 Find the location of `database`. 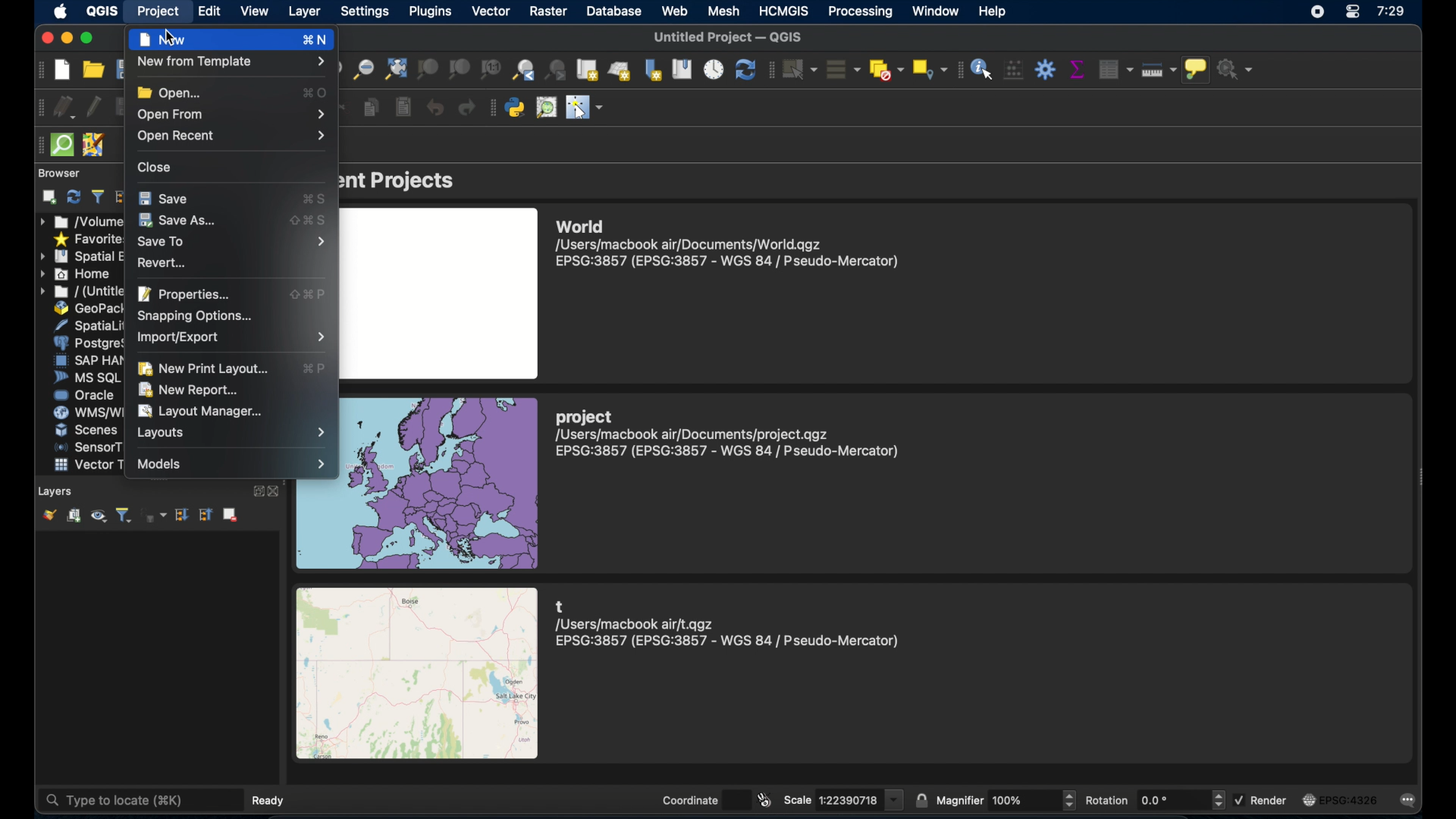

database is located at coordinates (616, 12).